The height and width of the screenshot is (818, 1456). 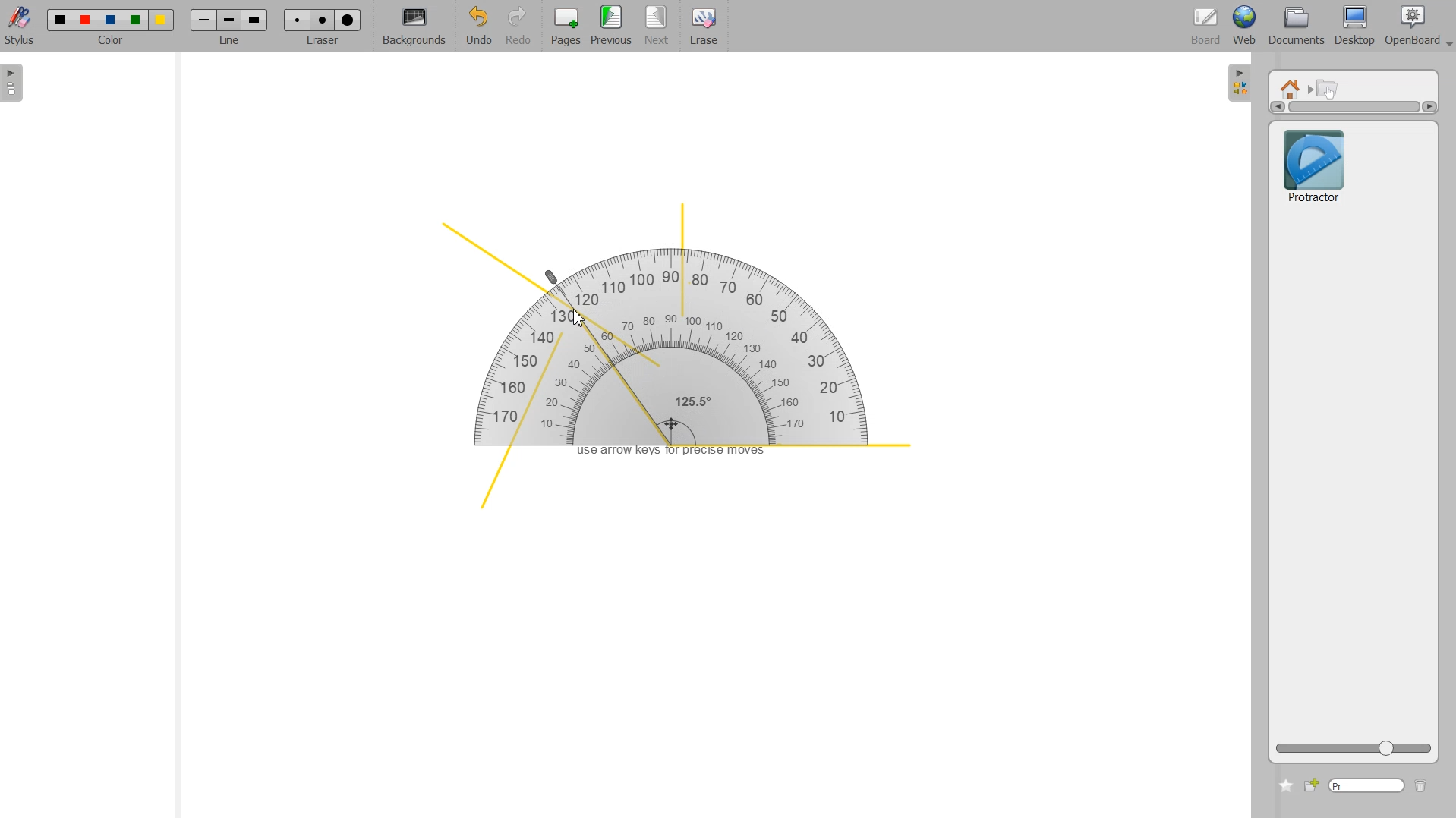 What do you see at coordinates (320, 45) in the screenshot?
I see `eraser` at bounding box center [320, 45].